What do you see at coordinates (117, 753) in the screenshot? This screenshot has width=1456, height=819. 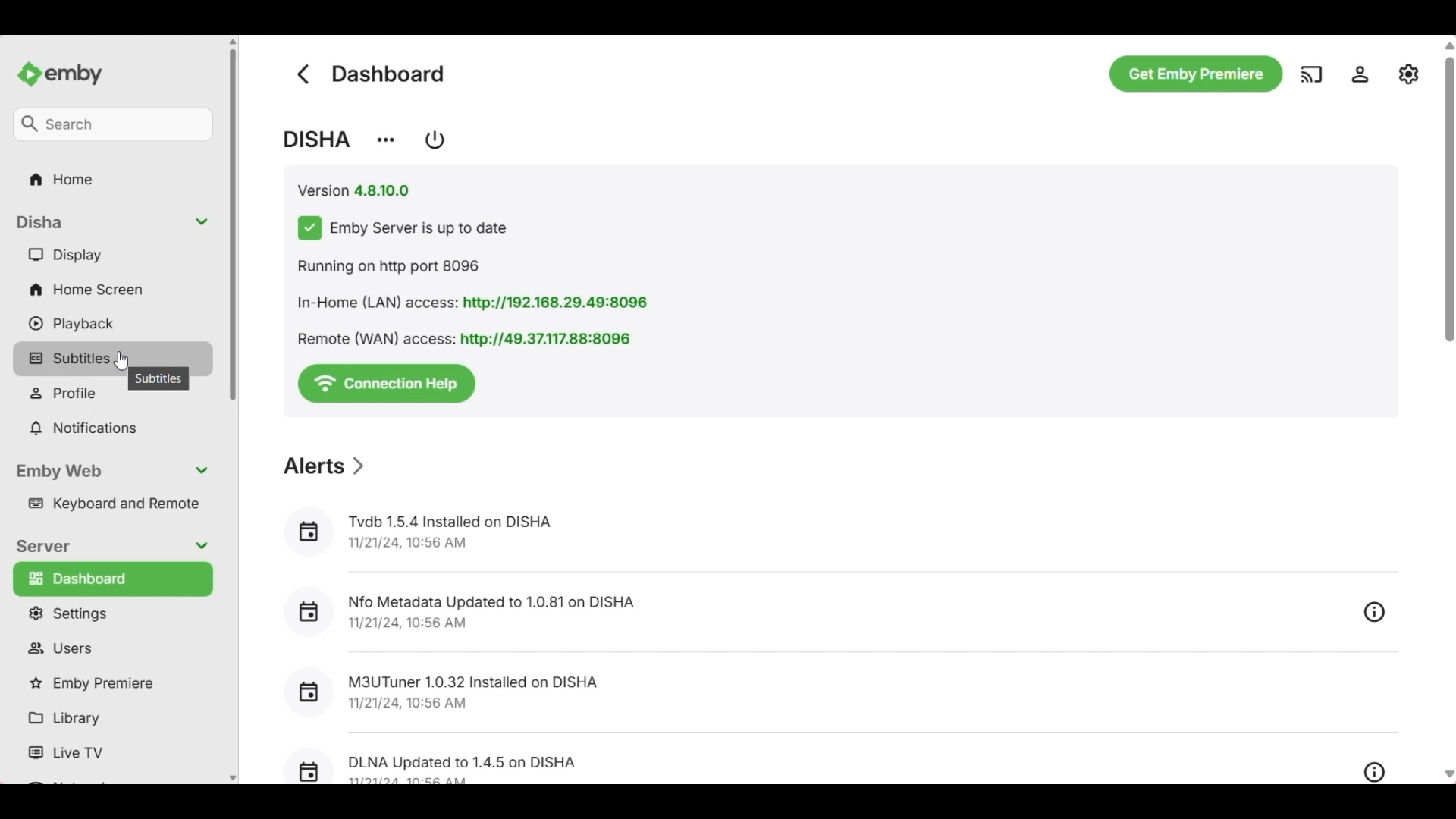 I see `Live TV` at bounding box center [117, 753].